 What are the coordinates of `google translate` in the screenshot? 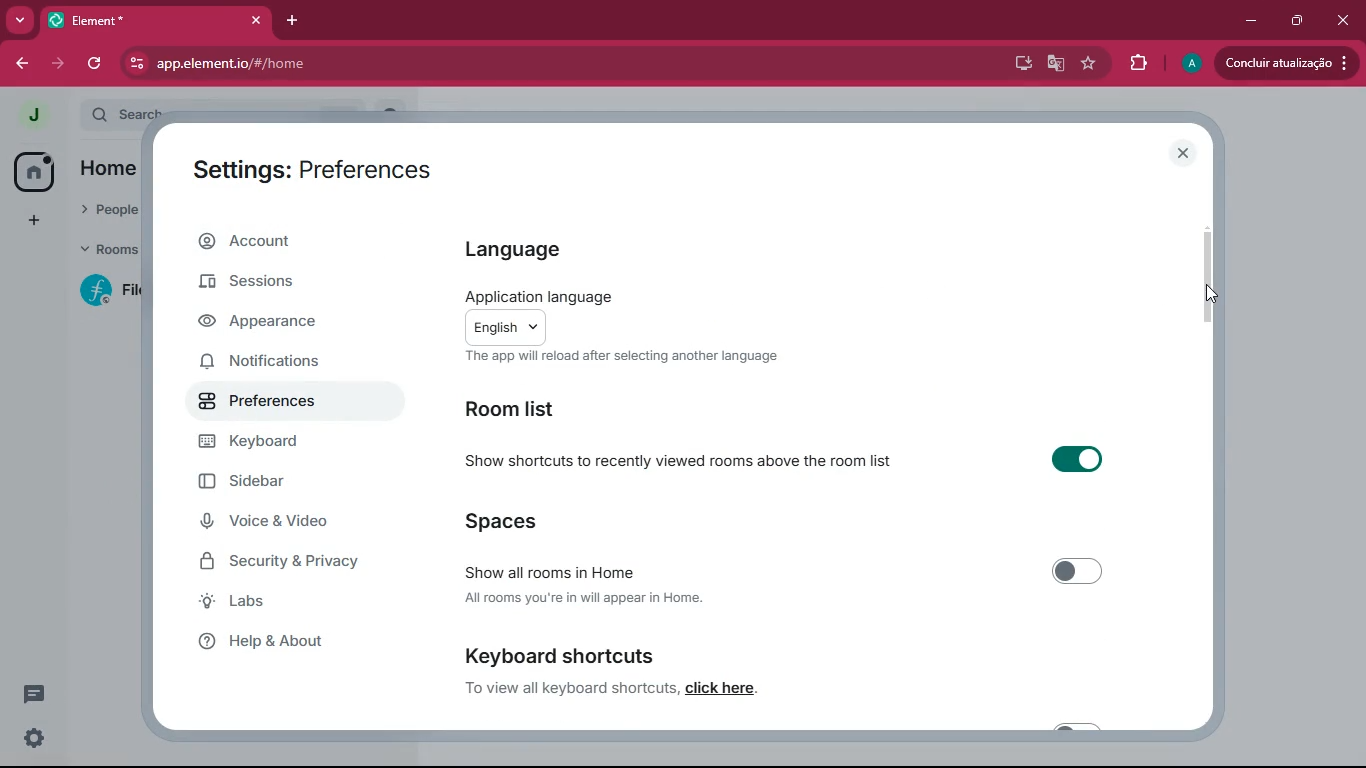 It's located at (1052, 66).